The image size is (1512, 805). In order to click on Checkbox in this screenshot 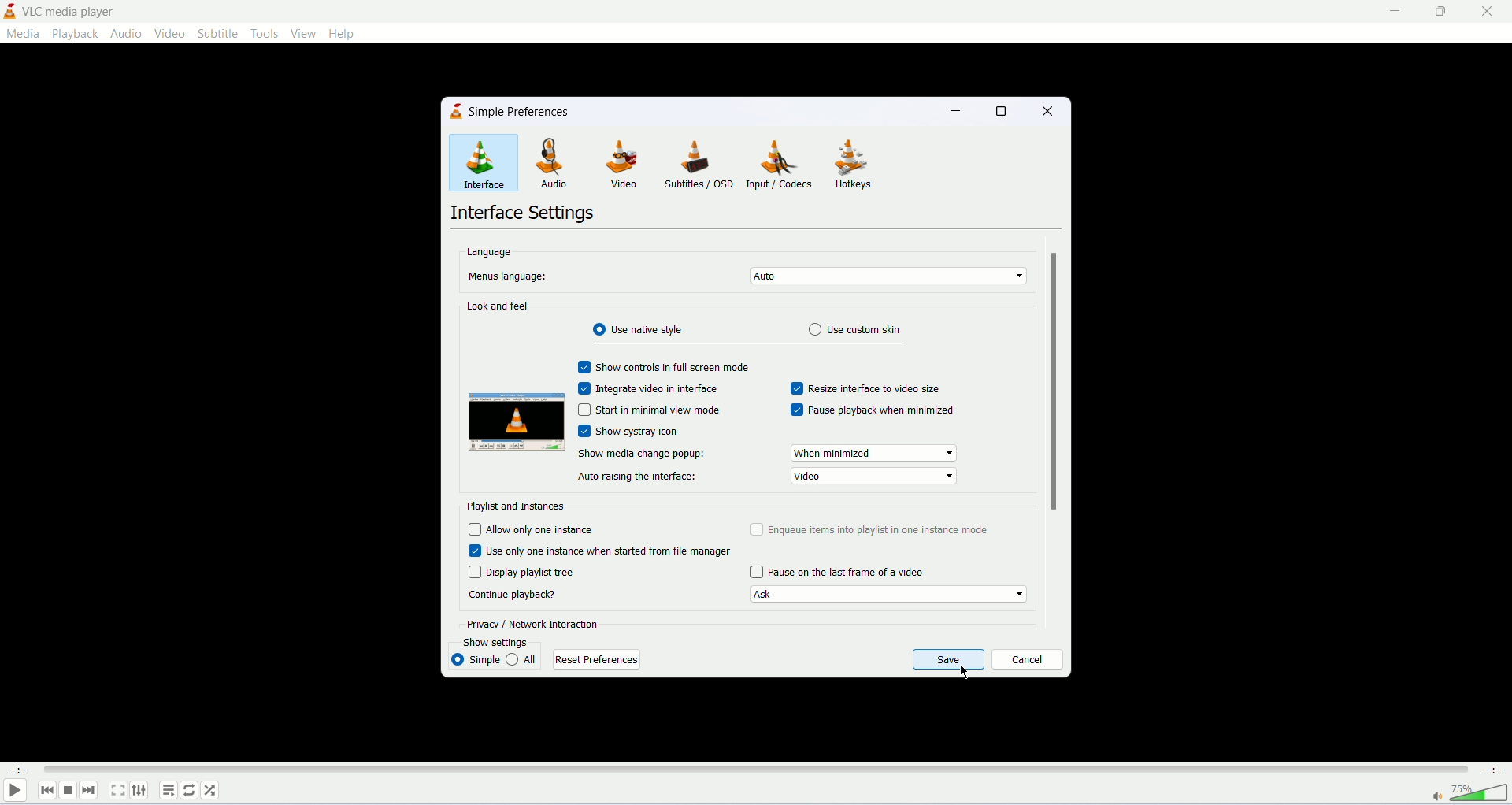, I will do `click(584, 432)`.